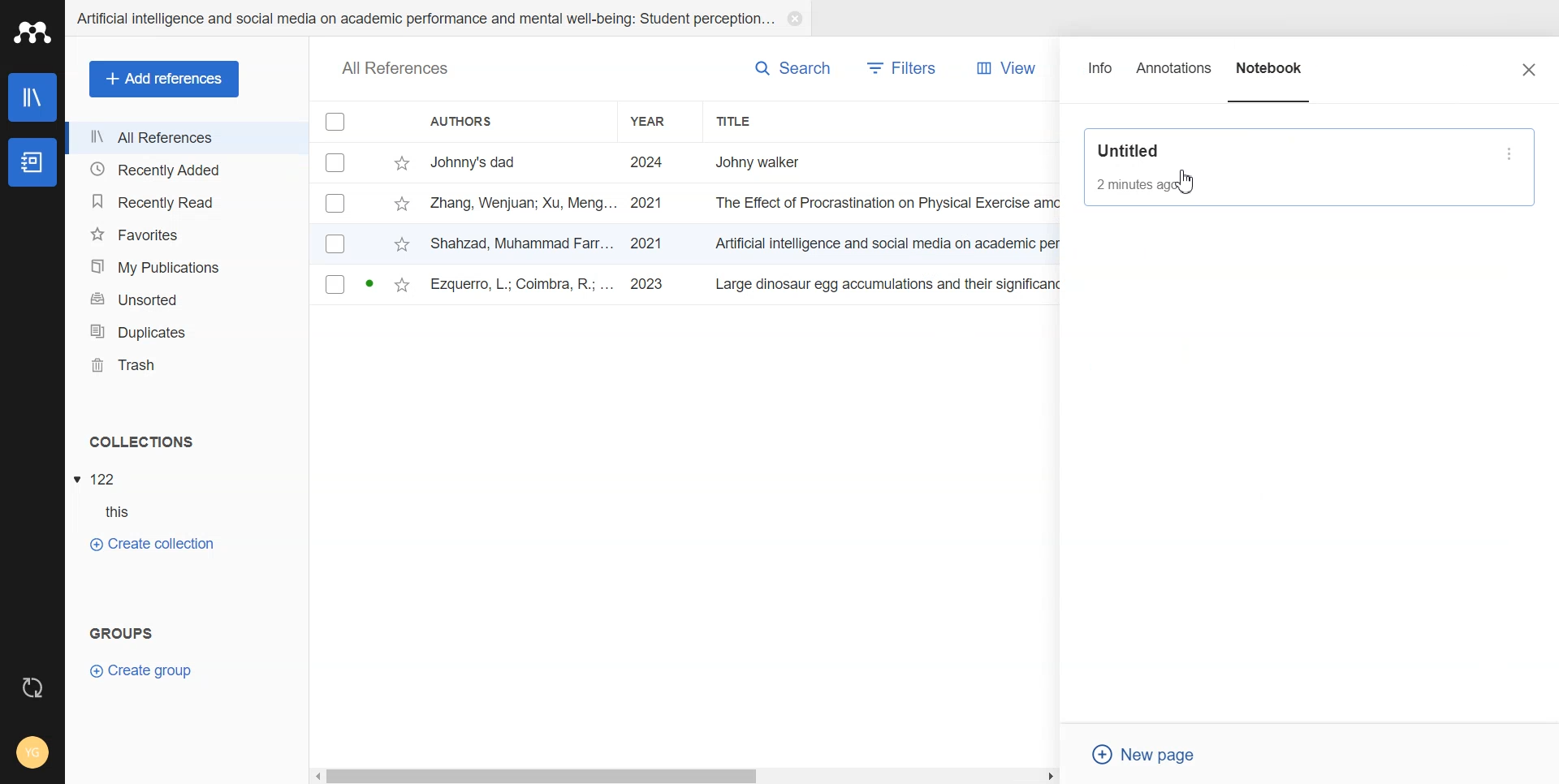  I want to click on star, so click(402, 164).